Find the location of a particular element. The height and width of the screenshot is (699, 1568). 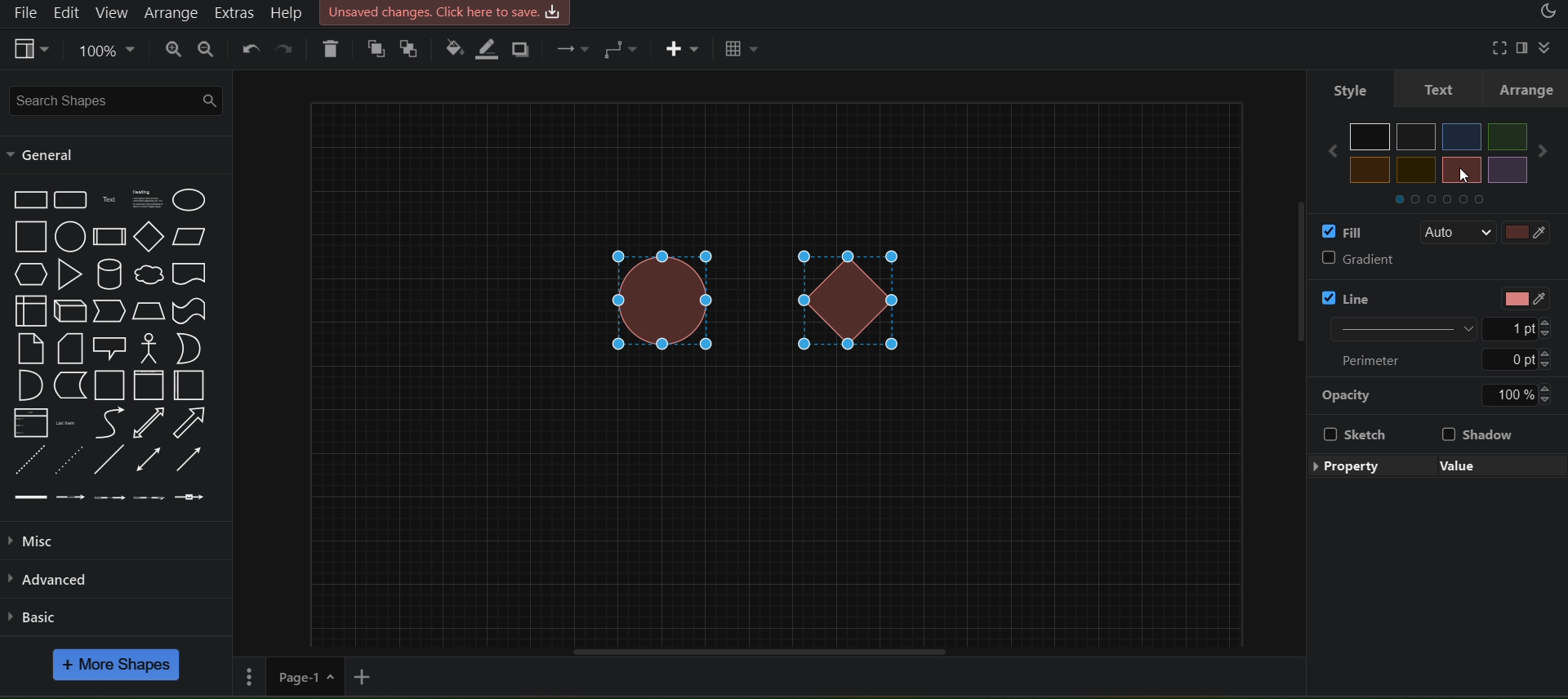

Cylinder is located at coordinates (107, 274).